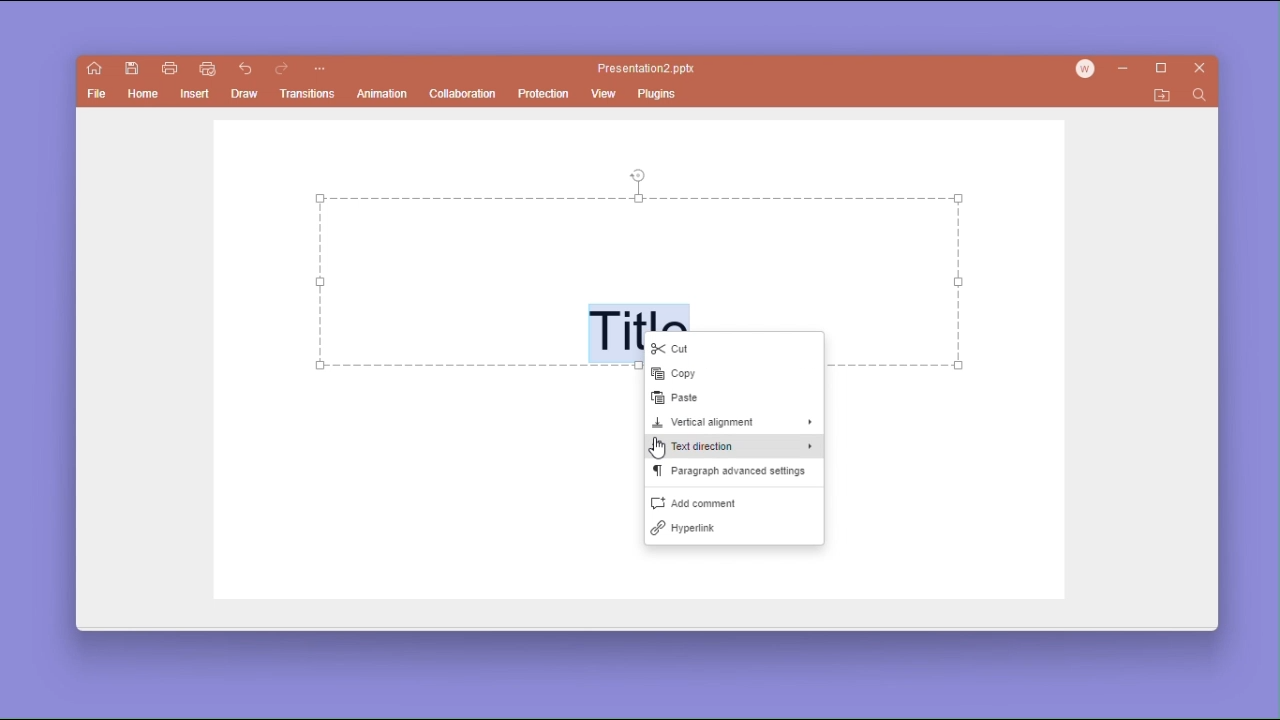  What do you see at coordinates (544, 93) in the screenshot?
I see `protection` at bounding box center [544, 93].